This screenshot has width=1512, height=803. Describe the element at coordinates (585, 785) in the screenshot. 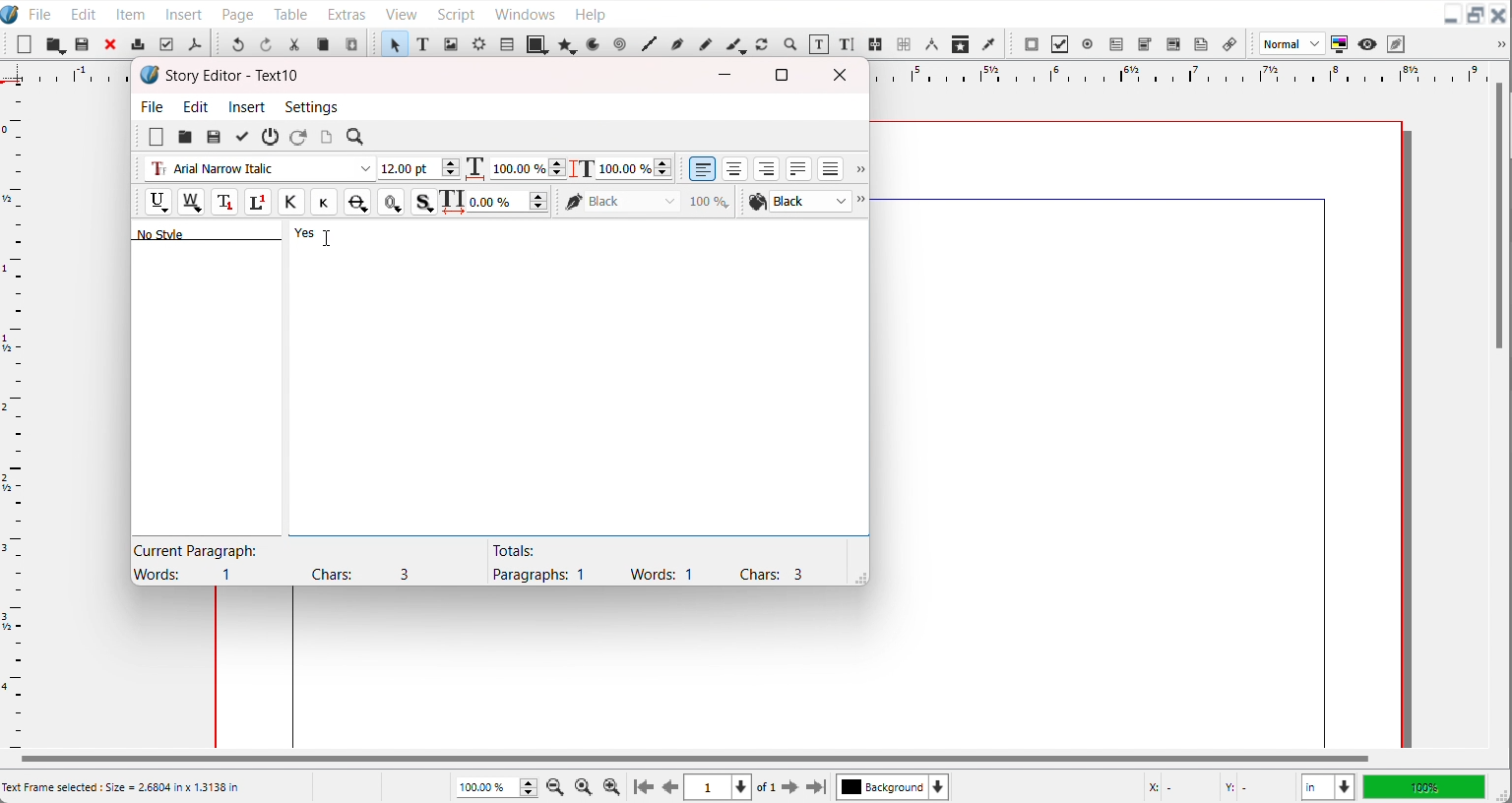

I see `Zoom to 100%` at that location.